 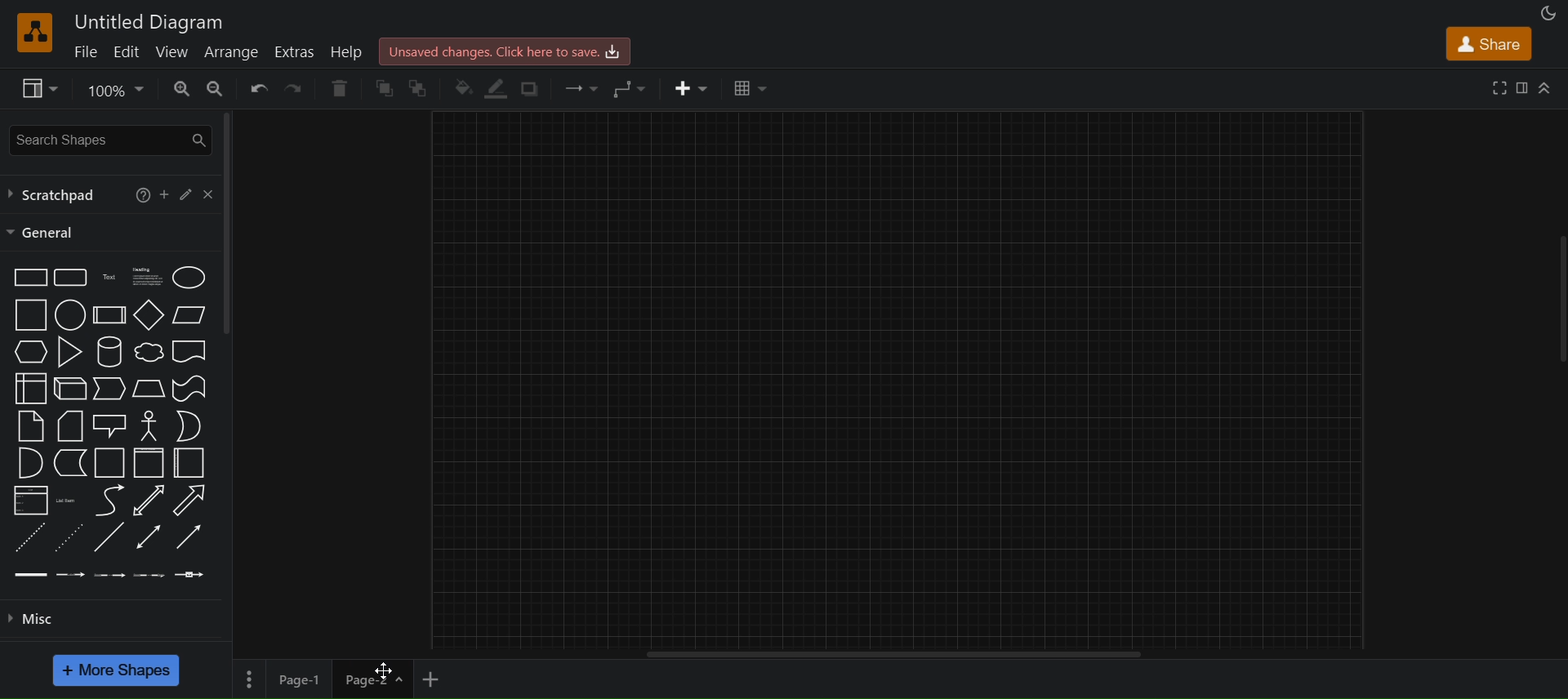 What do you see at coordinates (149, 425) in the screenshot?
I see `actor` at bounding box center [149, 425].